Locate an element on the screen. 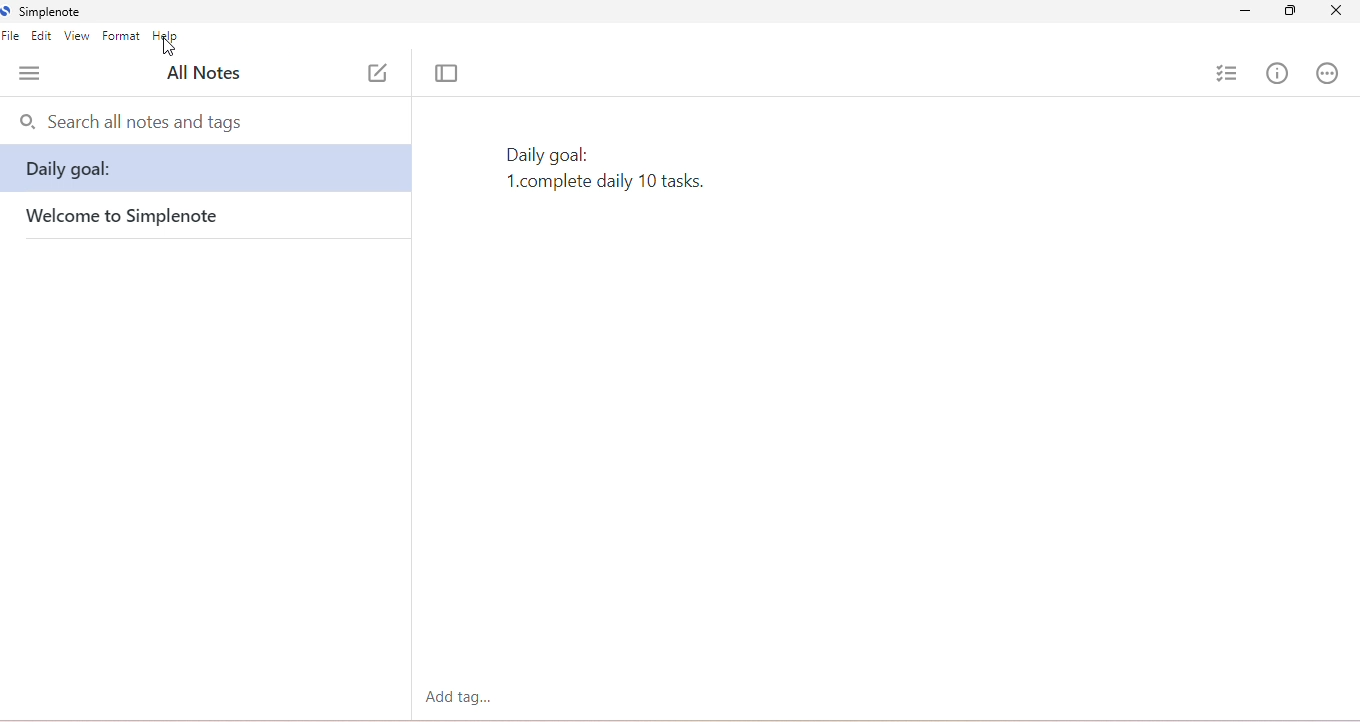 The image size is (1360, 722). actions is located at coordinates (1327, 72).